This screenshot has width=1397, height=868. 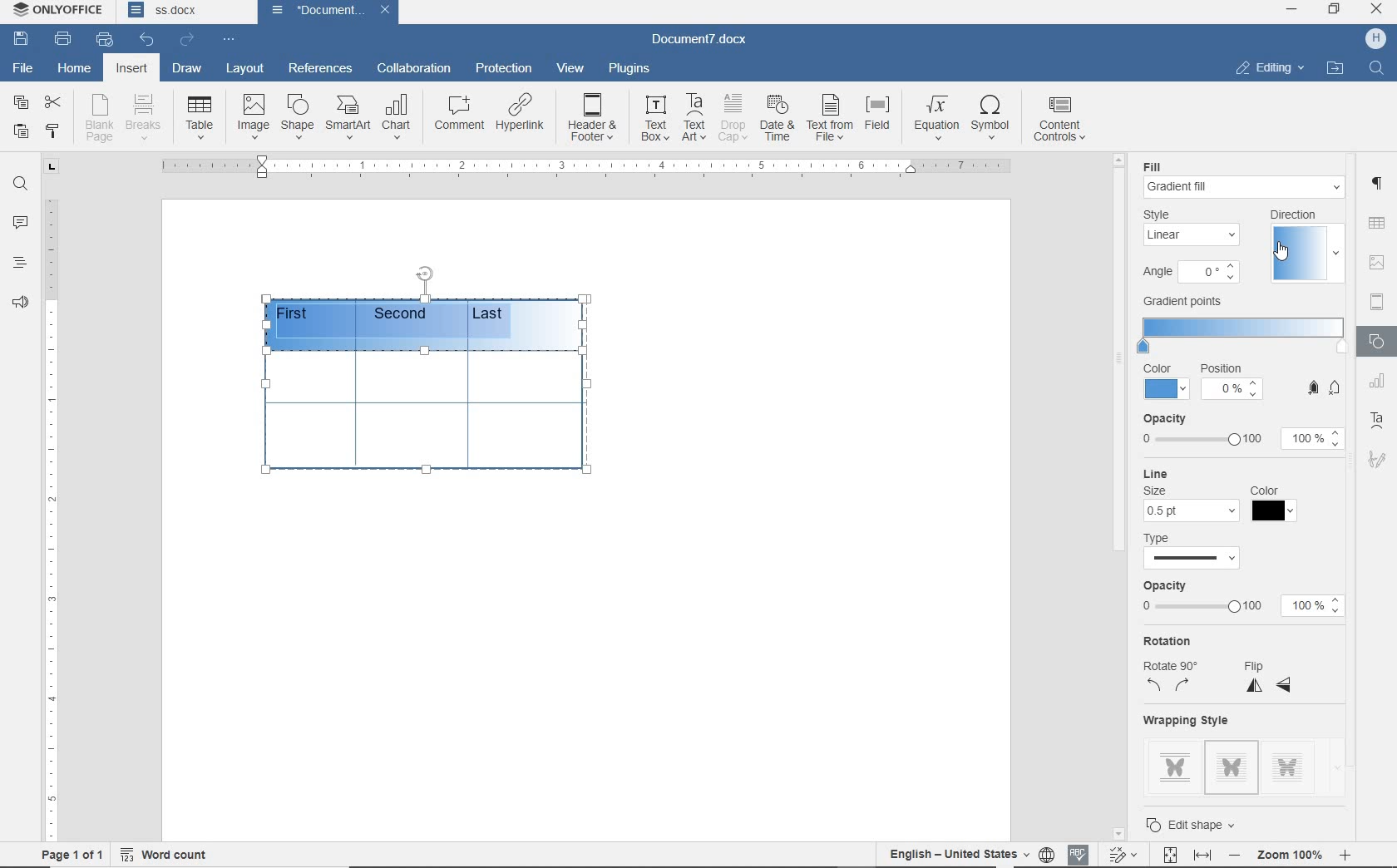 What do you see at coordinates (228, 40) in the screenshot?
I see `customize quick access toolbar` at bounding box center [228, 40].